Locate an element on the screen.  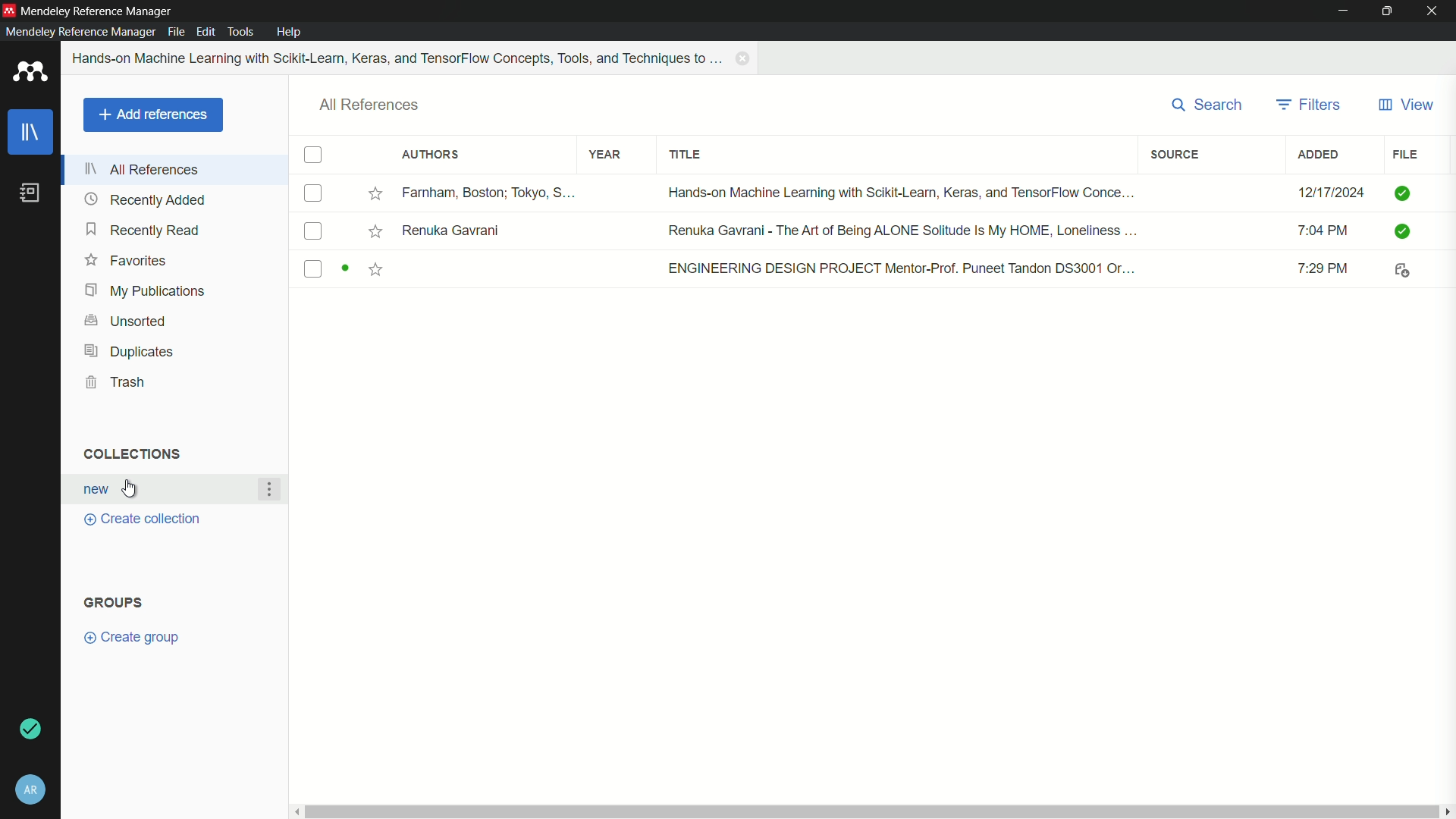
minimize is located at coordinates (1344, 11).